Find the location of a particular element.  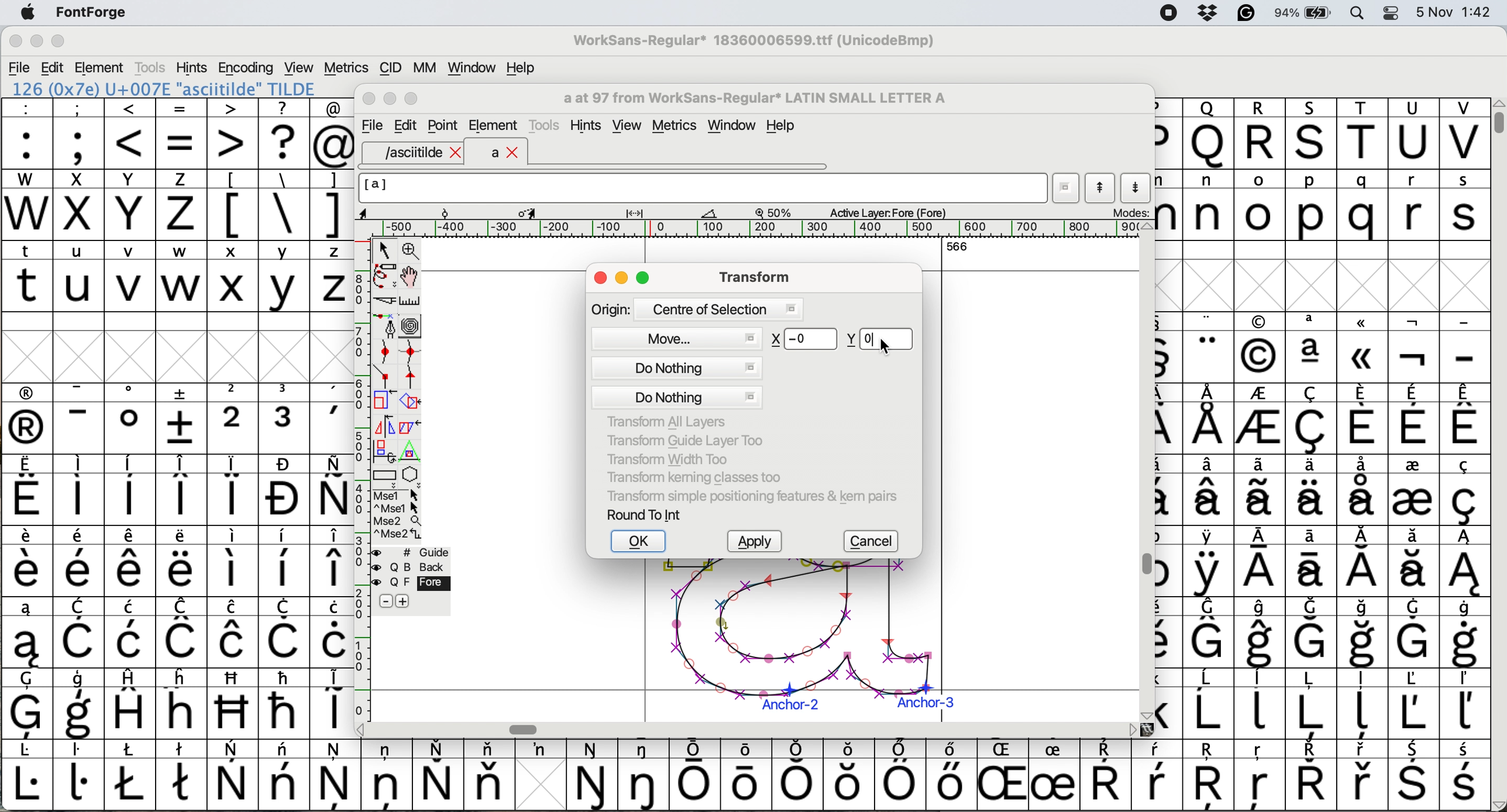

symbol is located at coordinates (1413, 419).